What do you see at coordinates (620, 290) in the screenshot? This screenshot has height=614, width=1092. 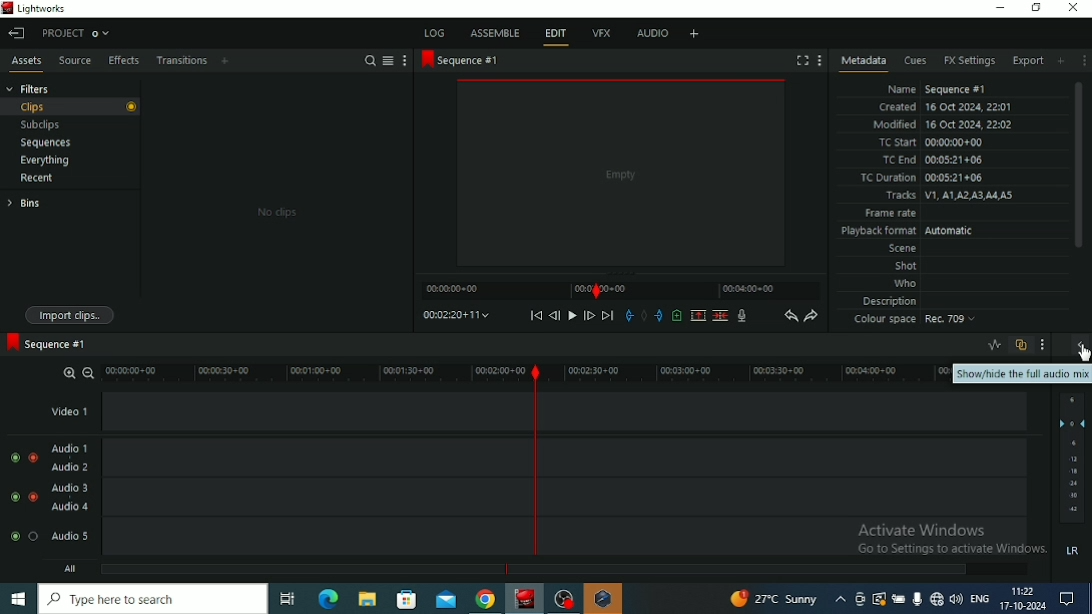 I see `Video duration` at bounding box center [620, 290].